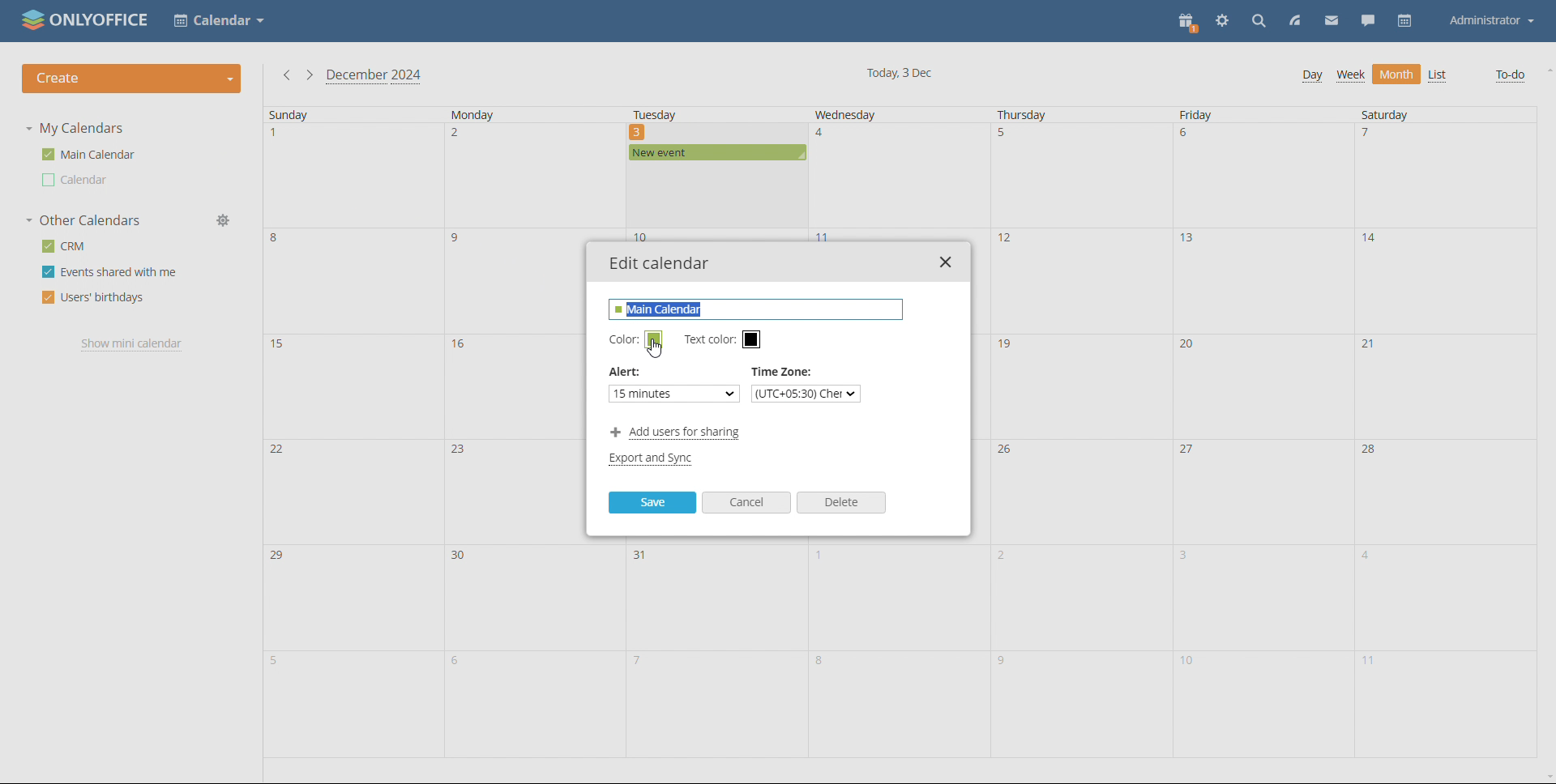  I want to click on sunday, so click(337, 115).